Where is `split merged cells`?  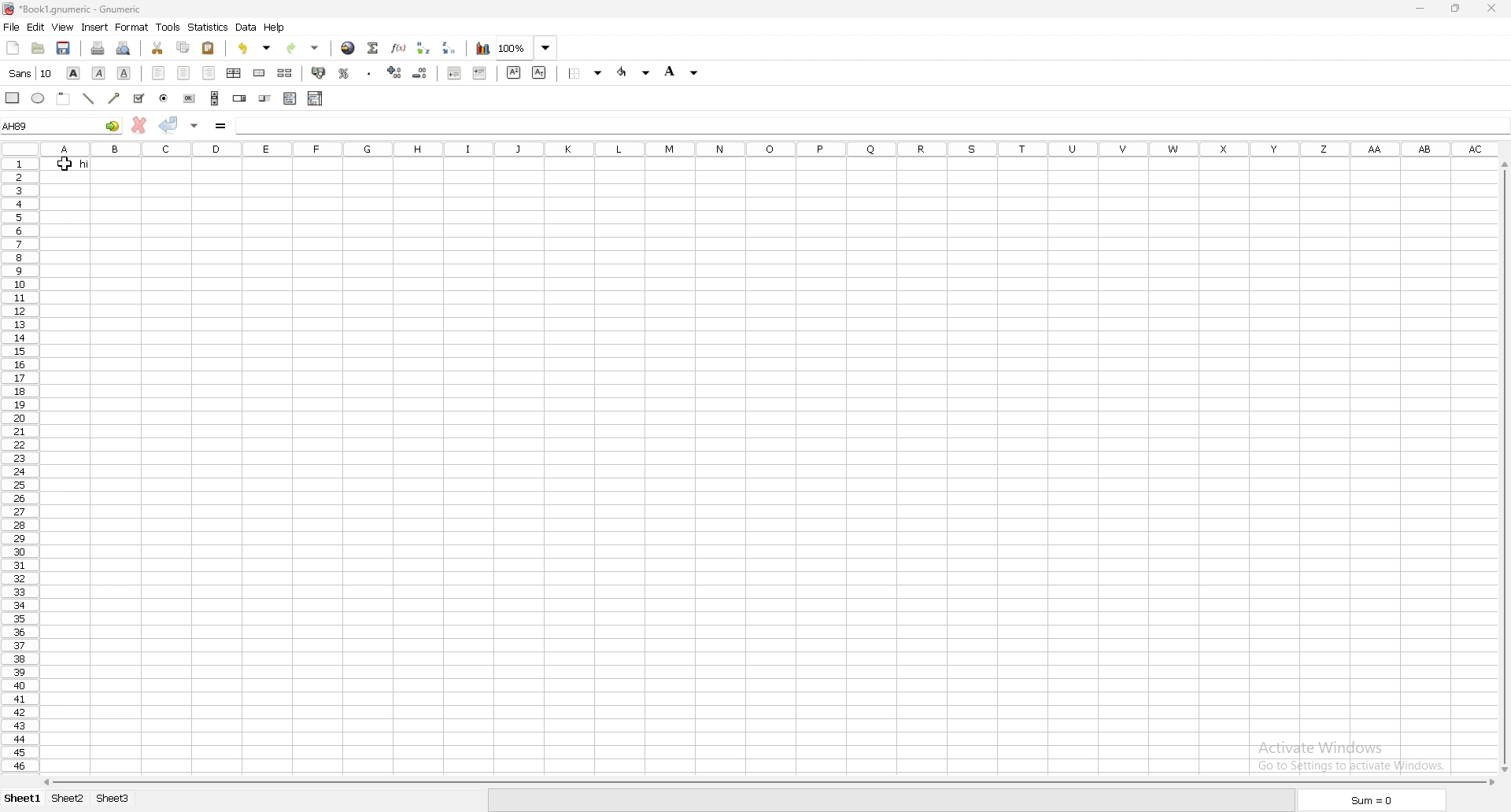 split merged cells is located at coordinates (285, 74).